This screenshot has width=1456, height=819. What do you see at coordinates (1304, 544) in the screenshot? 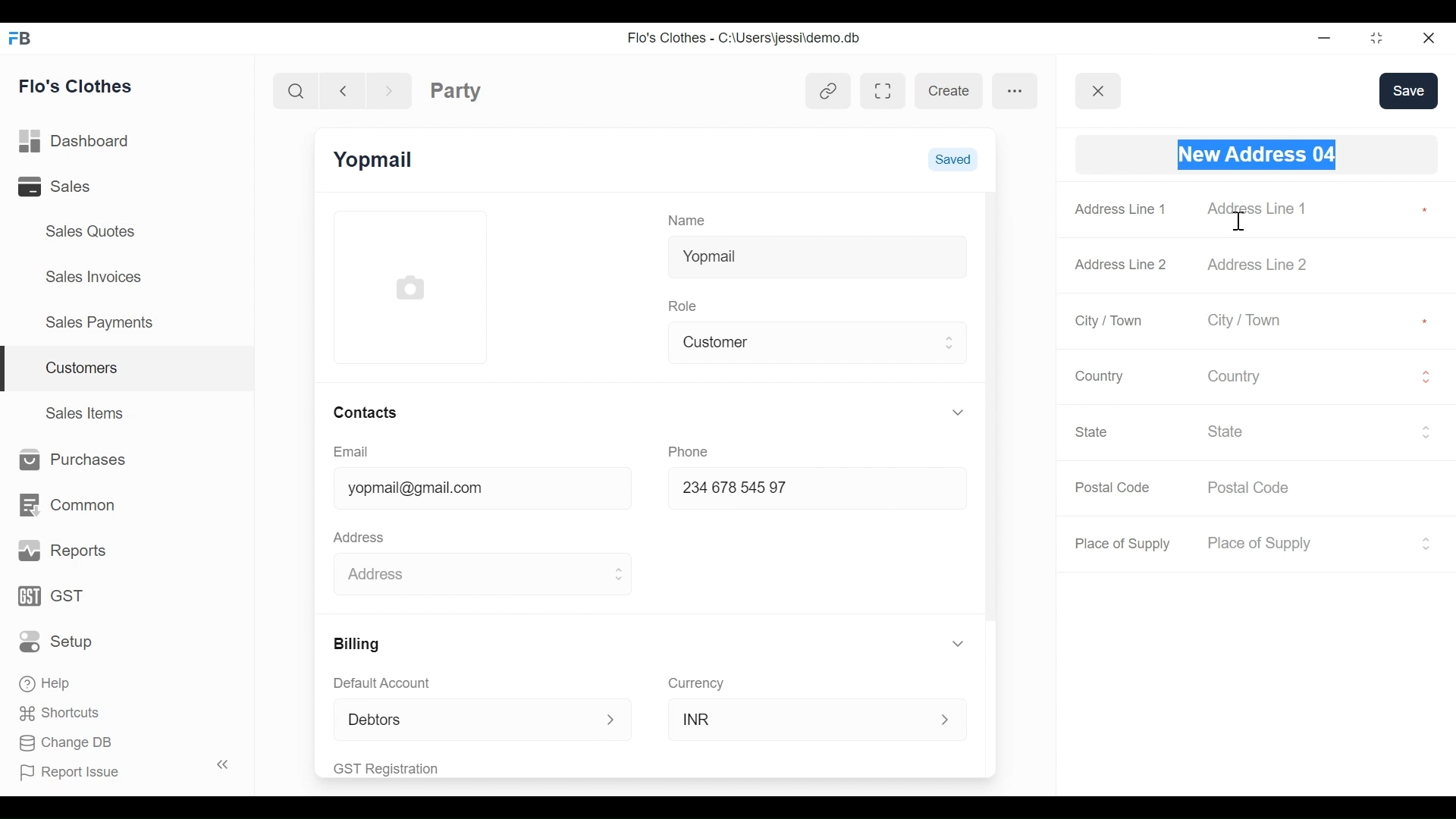
I see `Place of Supply` at bounding box center [1304, 544].